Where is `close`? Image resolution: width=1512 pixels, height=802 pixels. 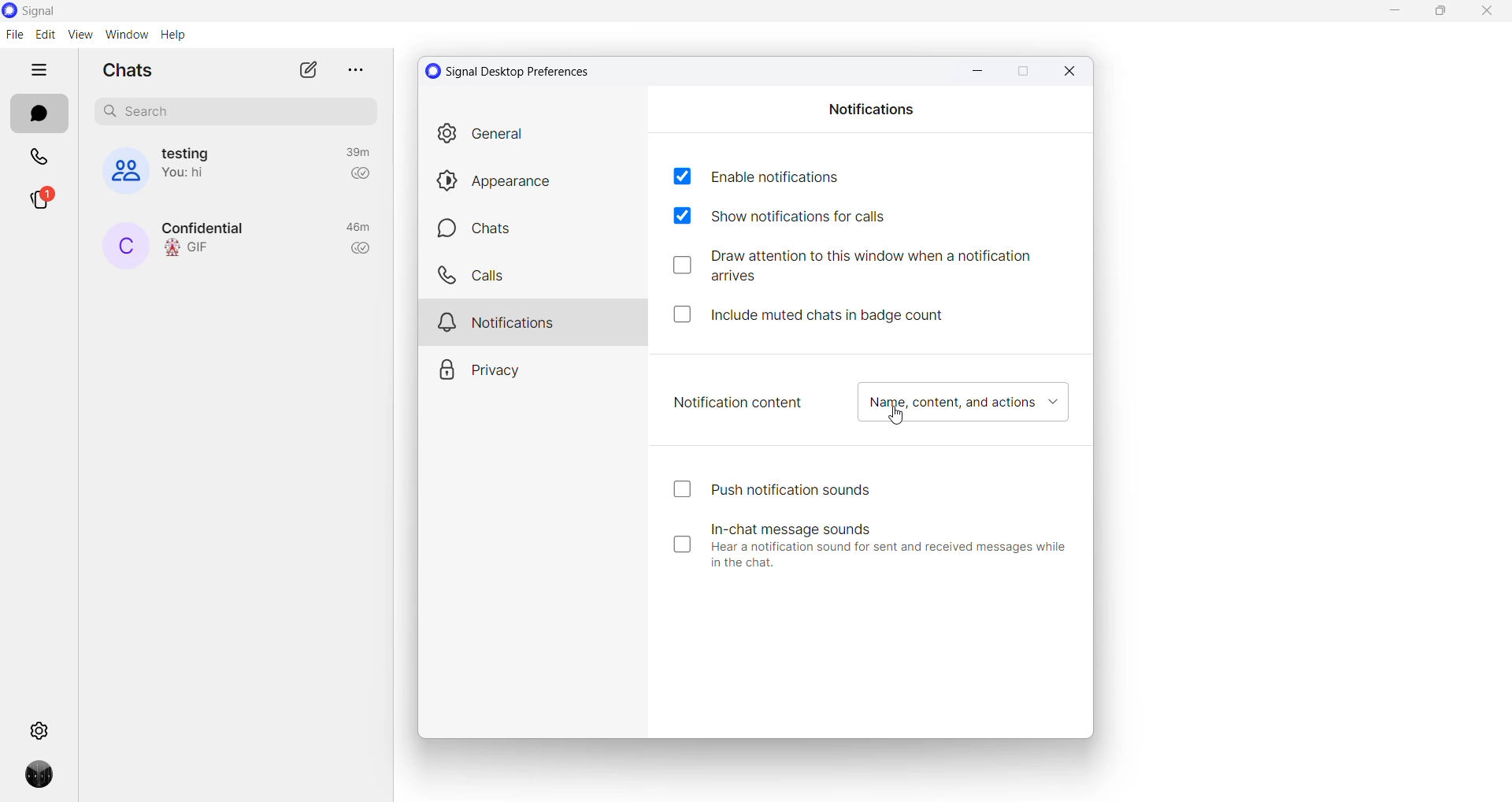
close is located at coordinates (1486, 16).